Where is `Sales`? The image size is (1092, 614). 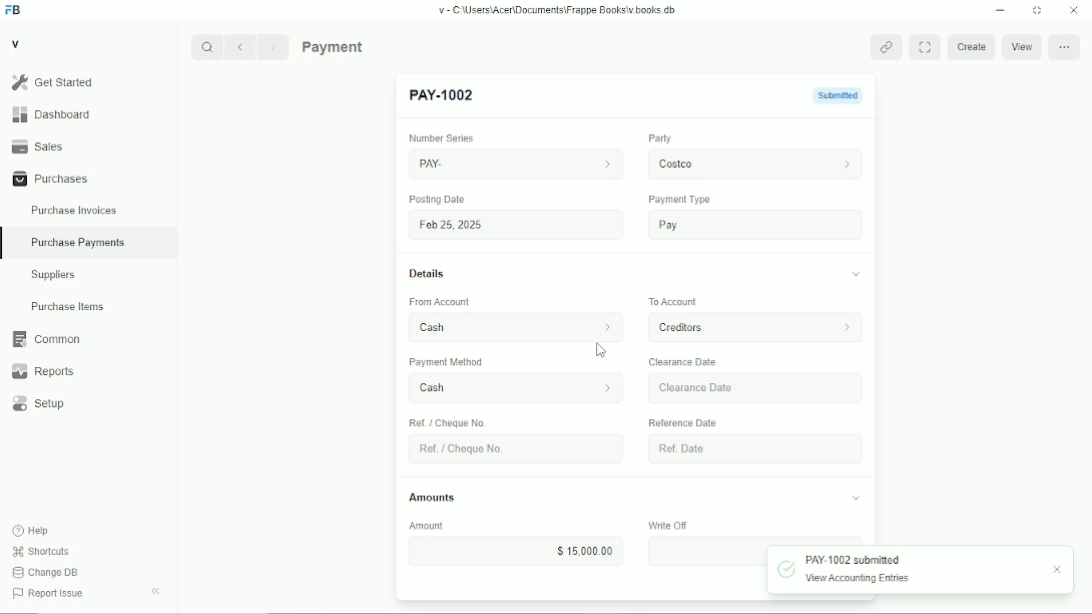
Sales is located at coordinates (88, 146).